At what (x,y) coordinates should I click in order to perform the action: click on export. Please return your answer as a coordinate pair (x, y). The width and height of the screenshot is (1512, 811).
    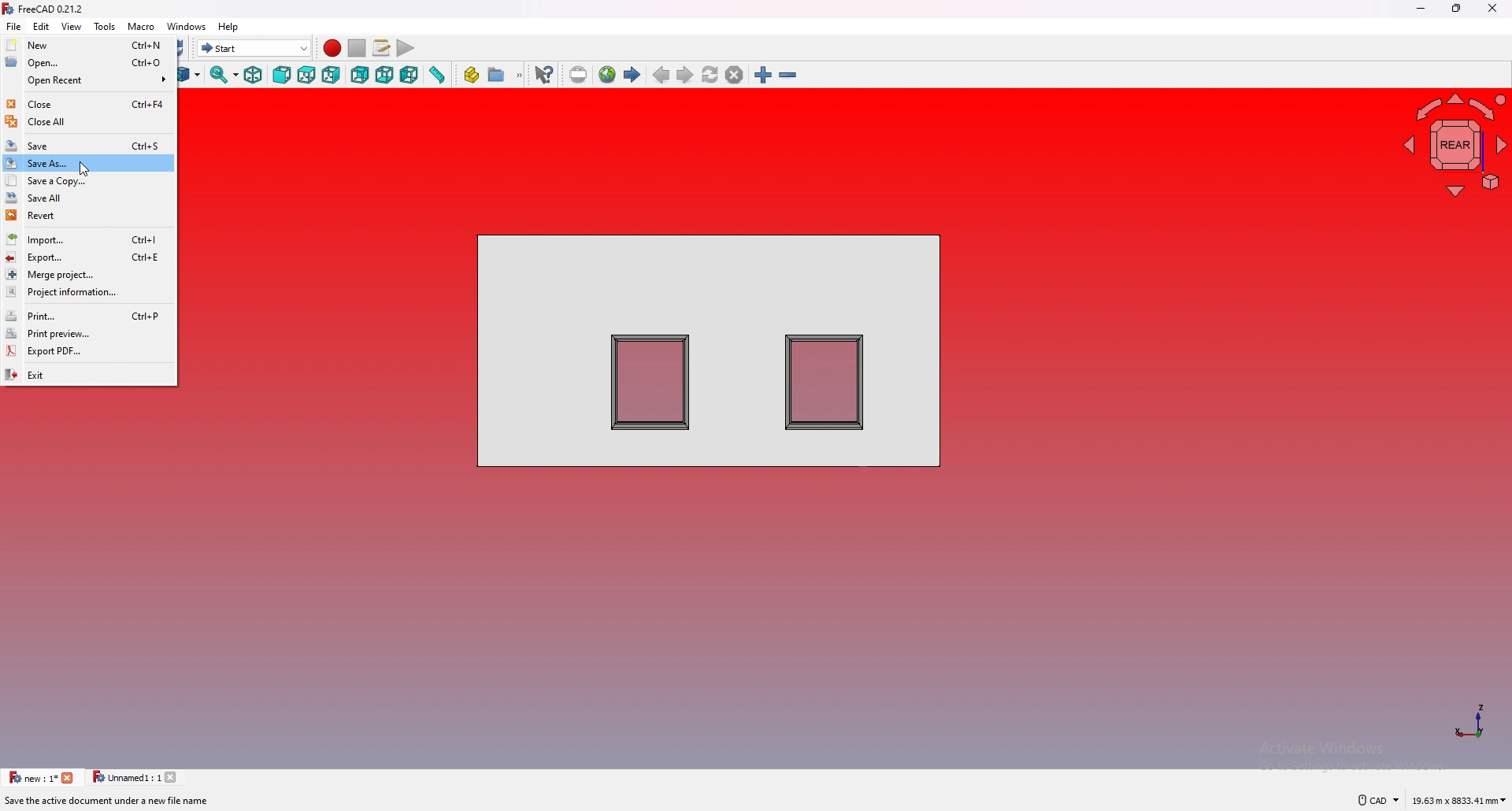
    Looking at the image, I should click on (87, 257).